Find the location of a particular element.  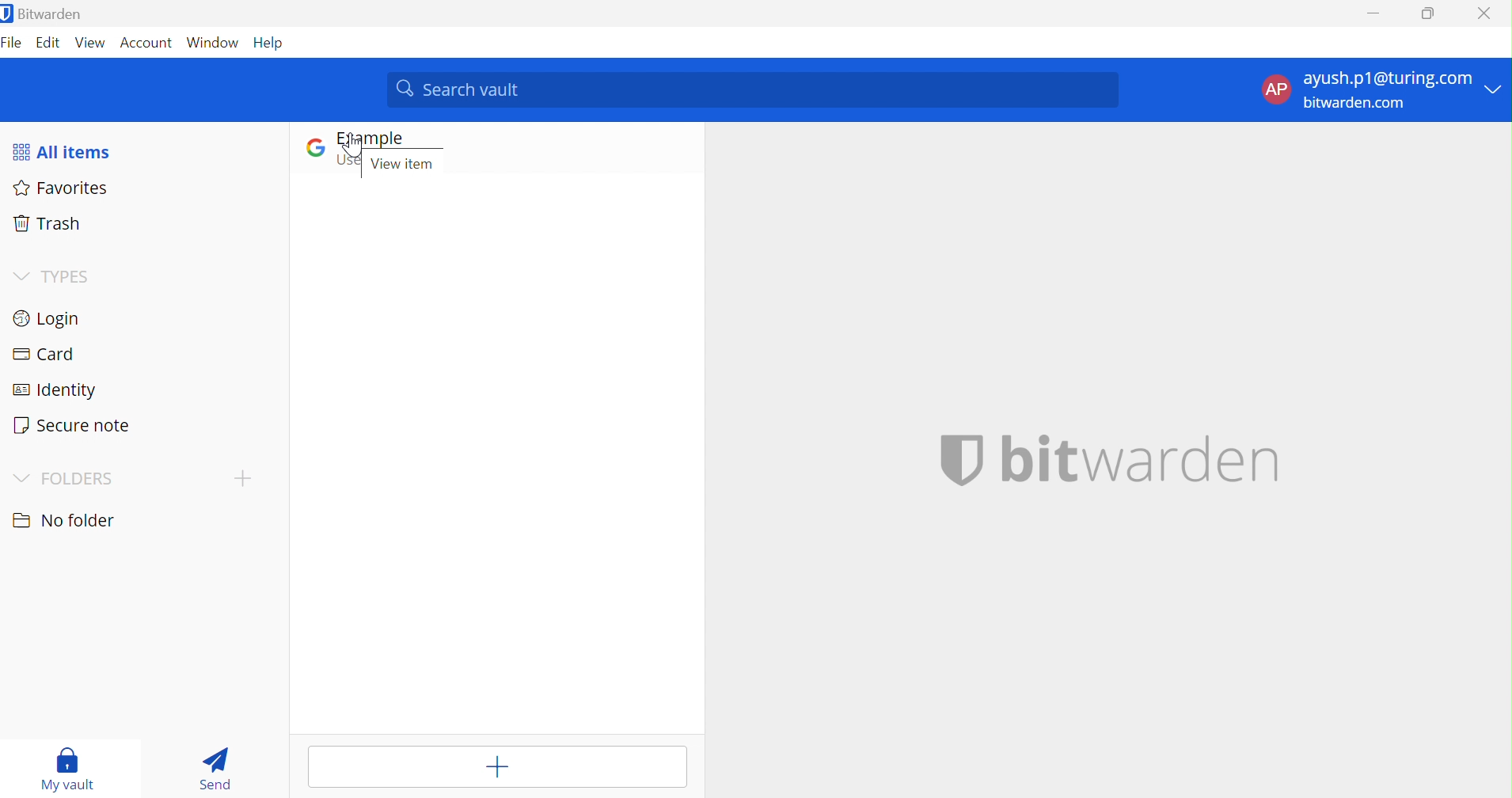

No folder is located at coordinates (62, 520).